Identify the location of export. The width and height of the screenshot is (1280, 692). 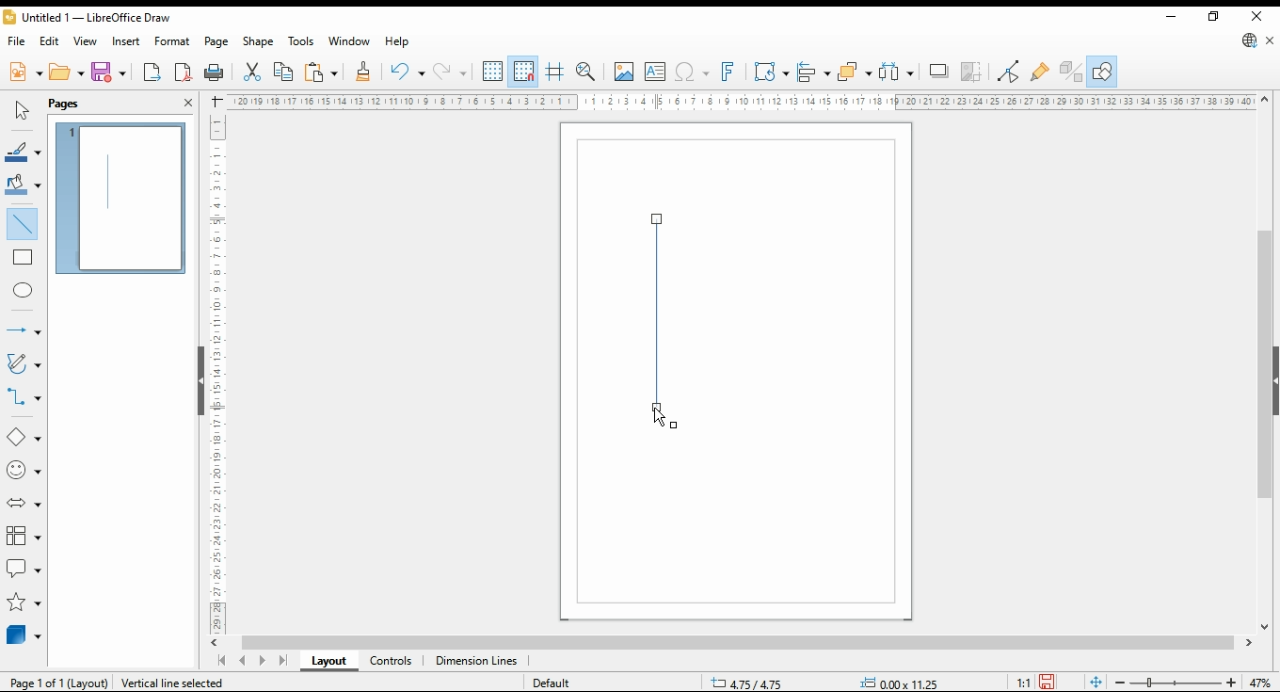
(152, 74).